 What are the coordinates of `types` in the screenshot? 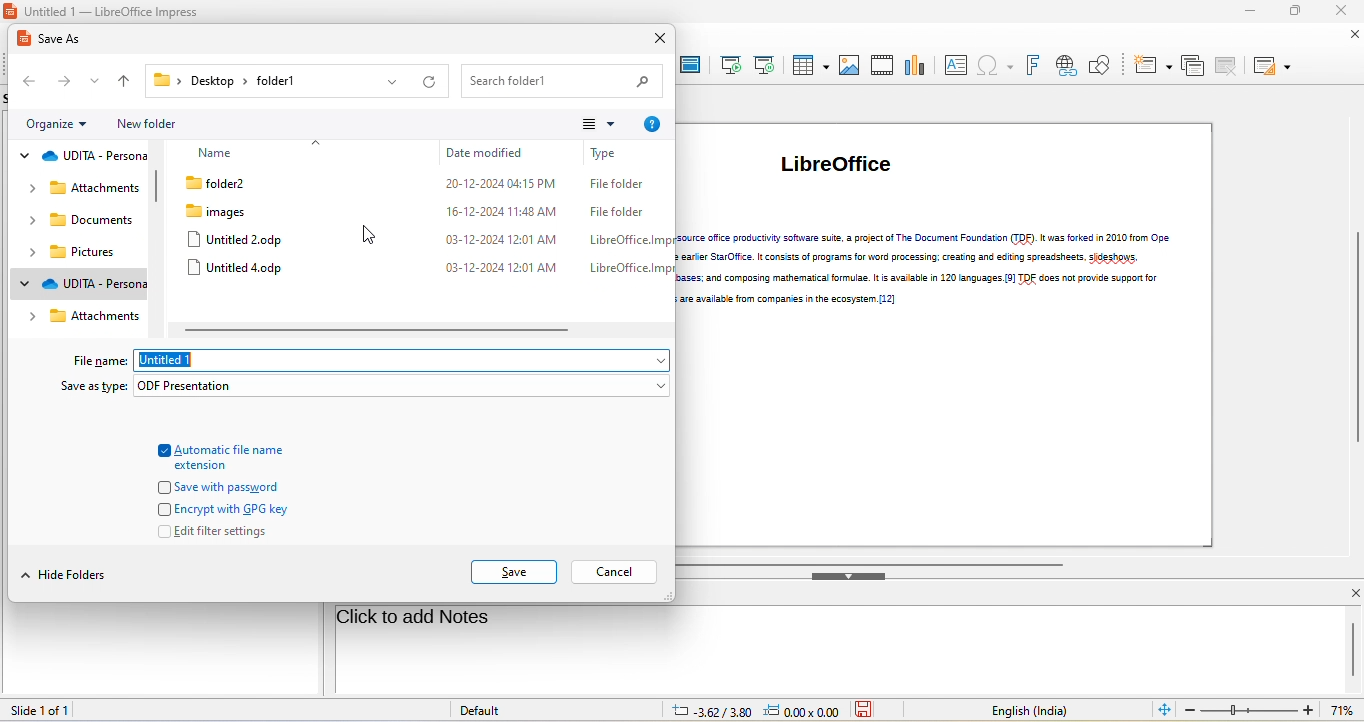 It's located at (620, 153).